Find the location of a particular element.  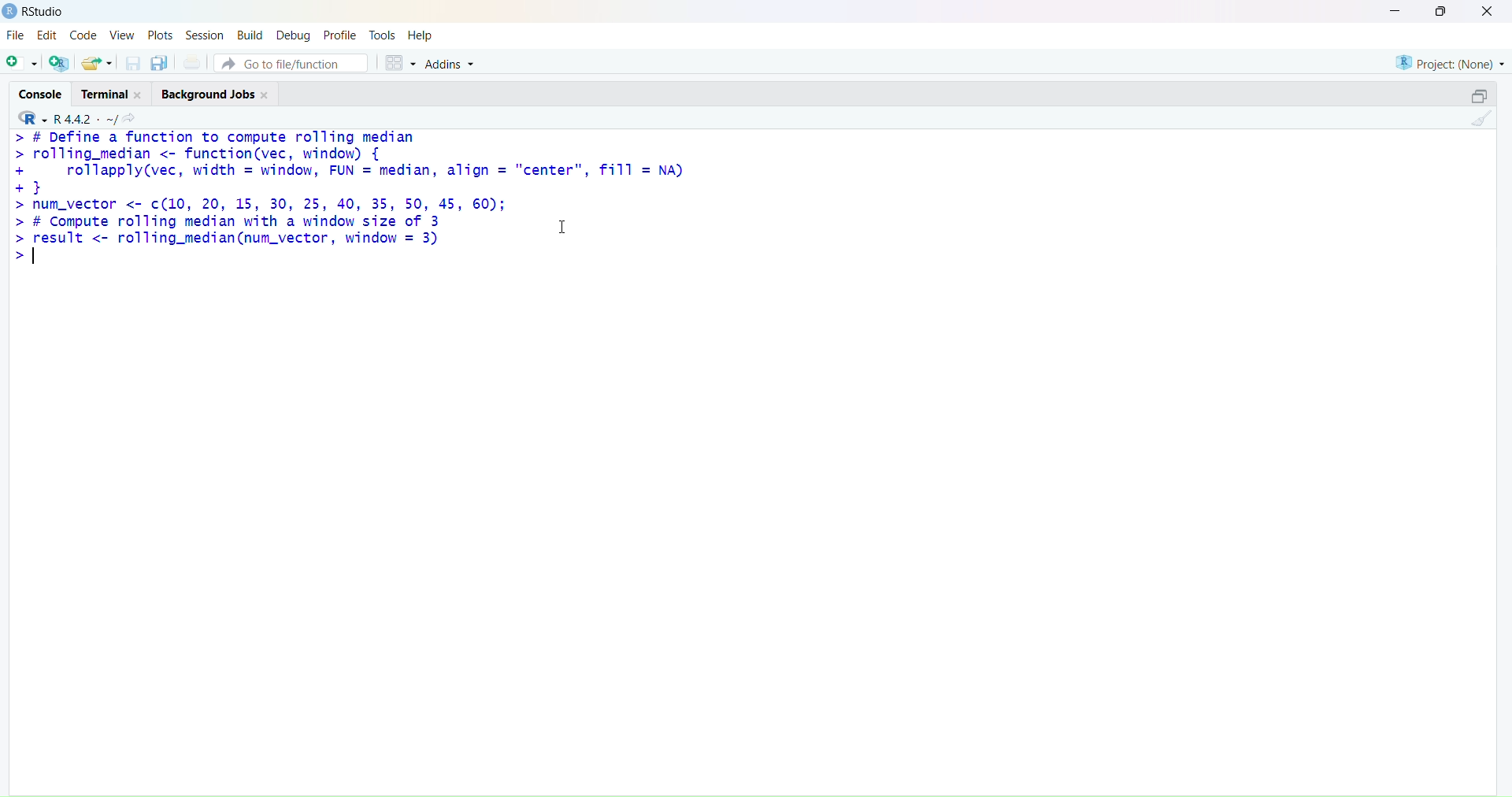

addins is located at coordinates (449, 65).